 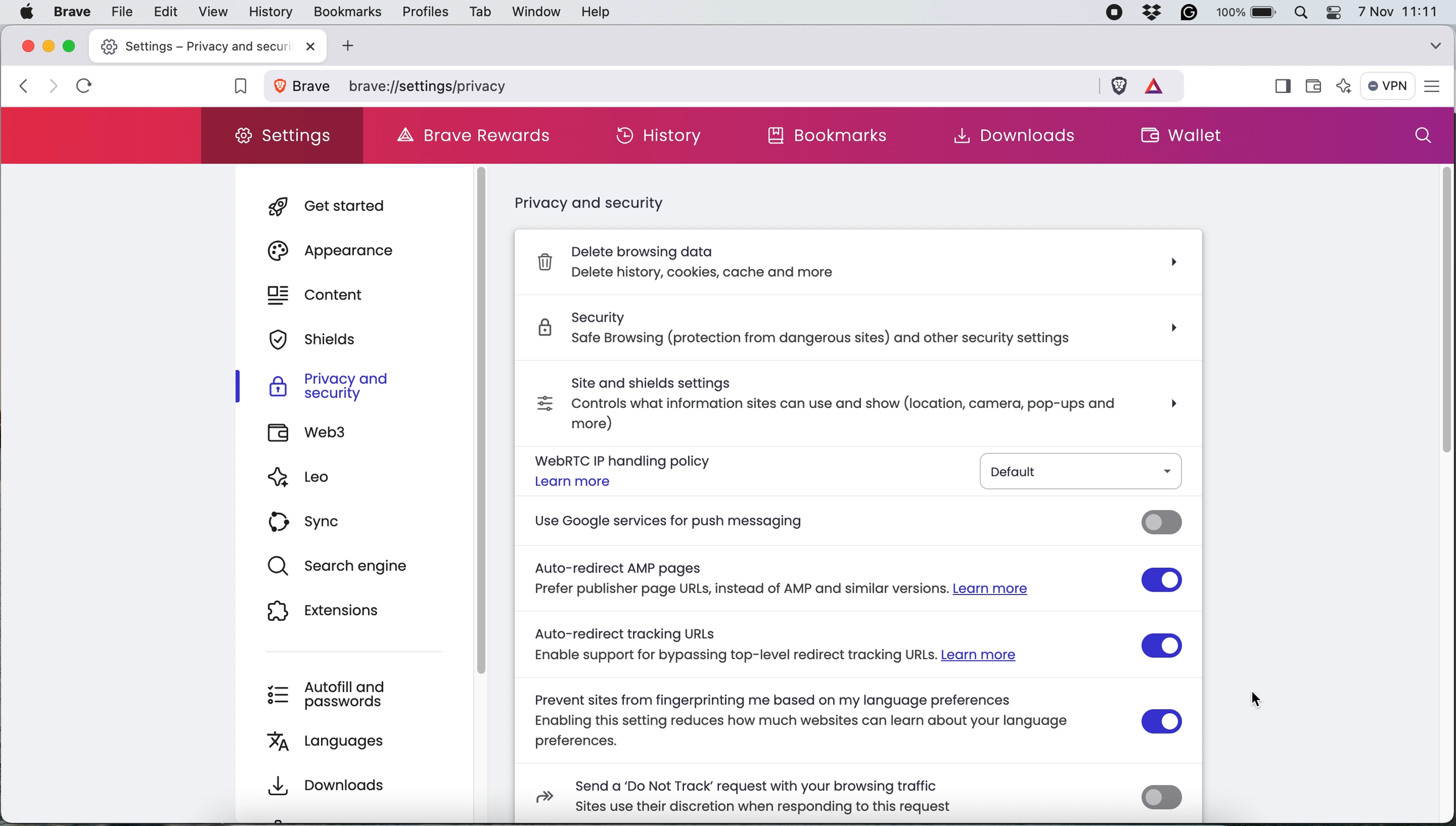 What do you see at coordinates (334, 694) in the screenshot?
I see `autofill and passwords` at bounding box center [334, 694].